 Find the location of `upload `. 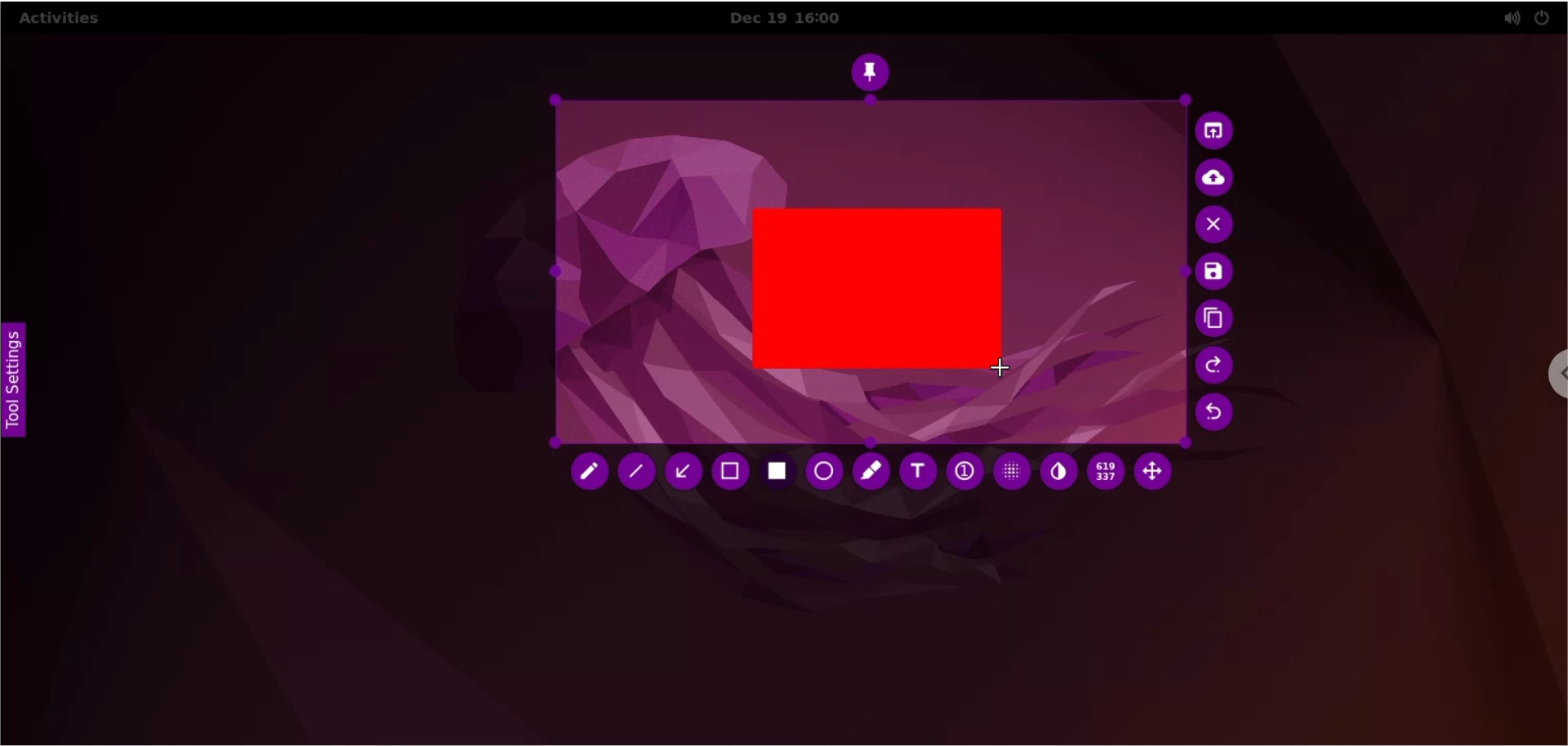

upload  is located at coordinates (1221, 178).